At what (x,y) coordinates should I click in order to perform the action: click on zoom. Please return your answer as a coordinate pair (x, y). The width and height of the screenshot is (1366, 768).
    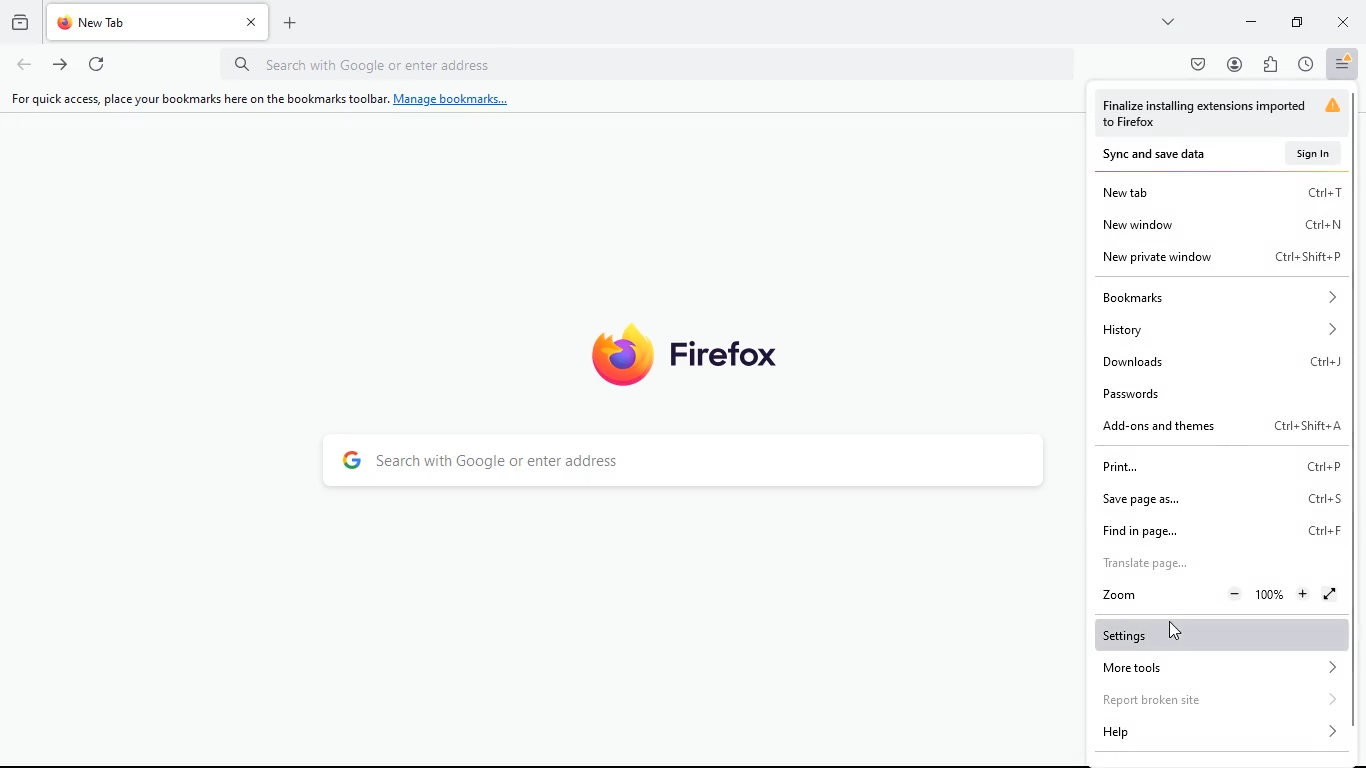
    Looking at the image, I should click on (1122, 594).